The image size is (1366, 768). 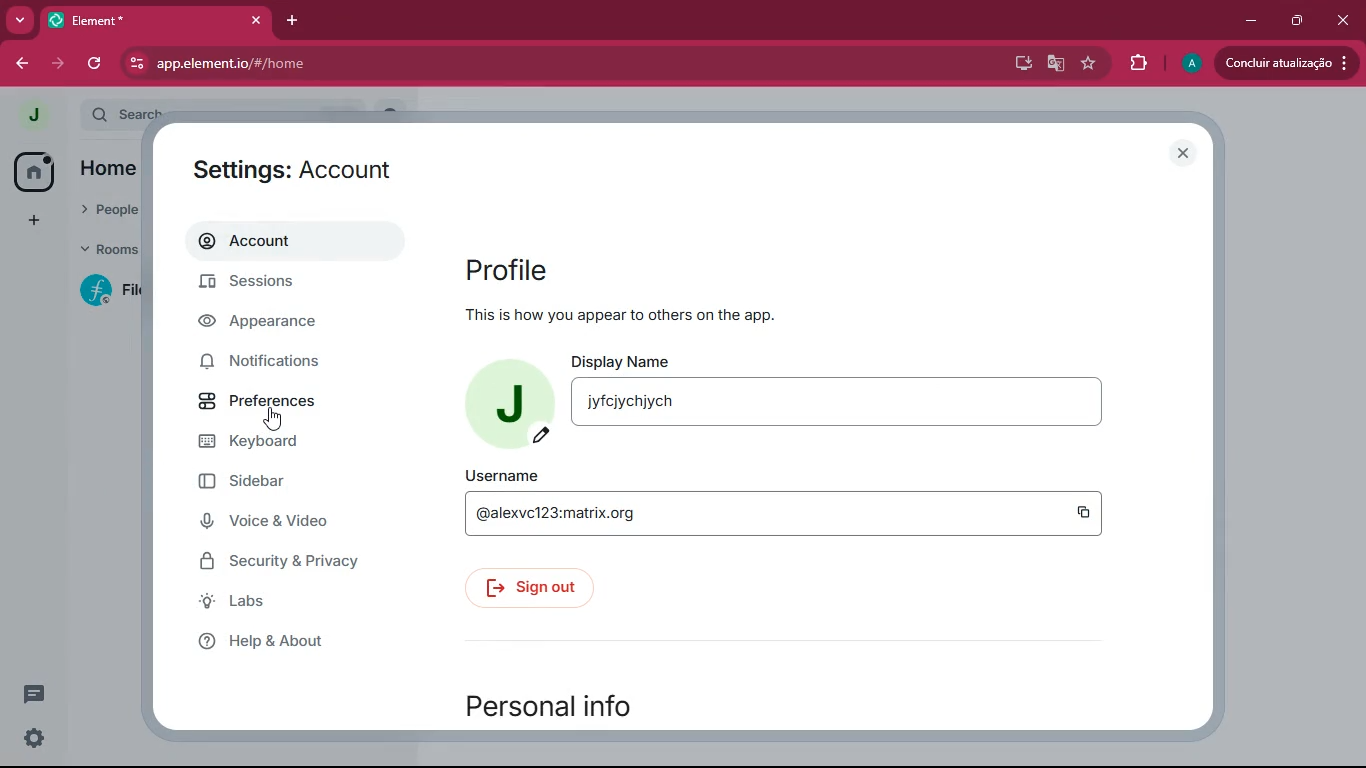 What do you see at coordinates (289, 562) in the screenshot?
I see `security & Privacy` at bounding box center [289, 562].